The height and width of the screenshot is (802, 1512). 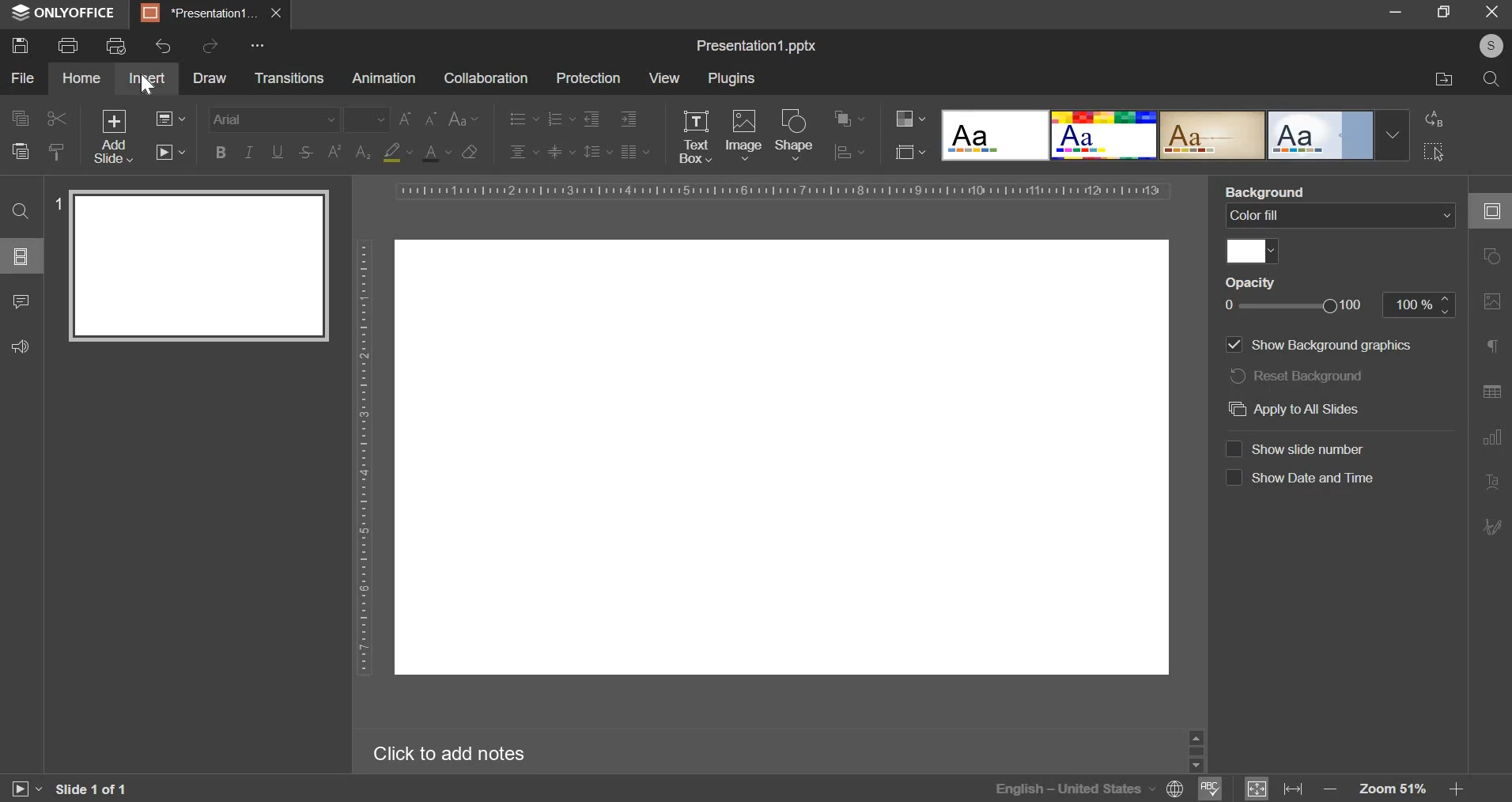 What do you see at coordinates (22, 78) in the screenshot?
I see `file` at bounding box center [22, 78].